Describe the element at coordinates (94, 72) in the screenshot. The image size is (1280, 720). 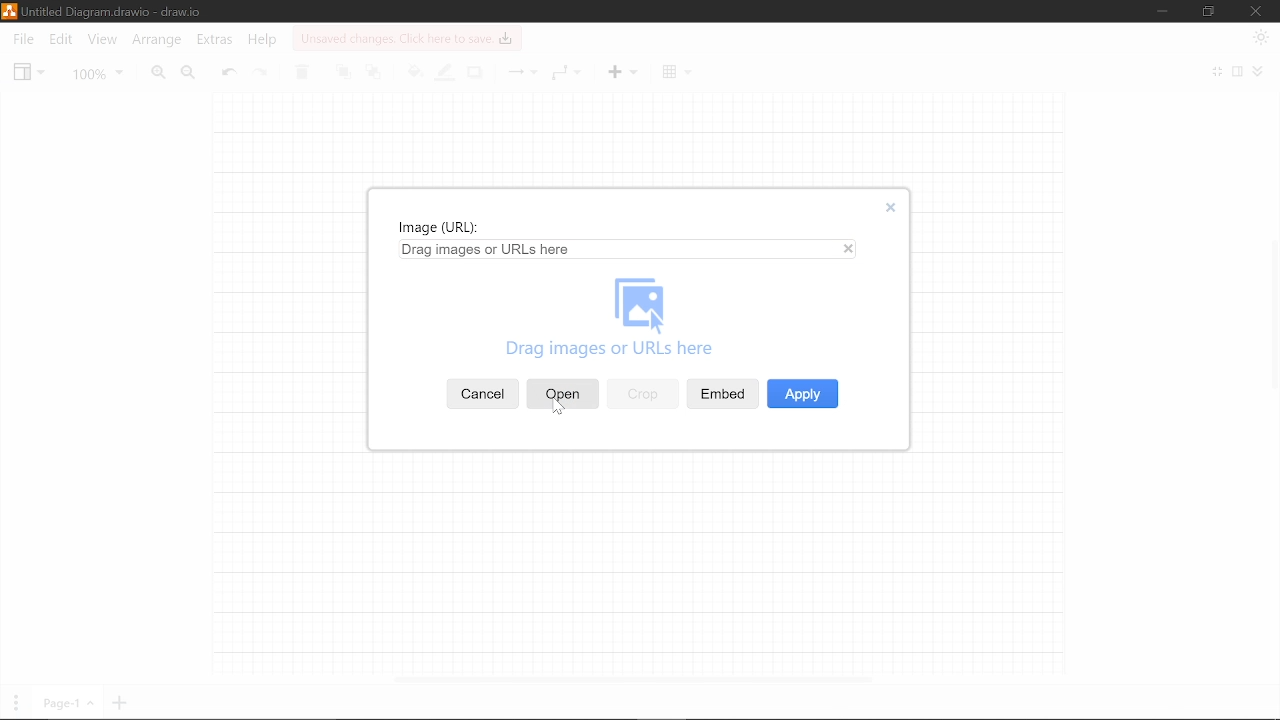
I see `Zoom` at that location.